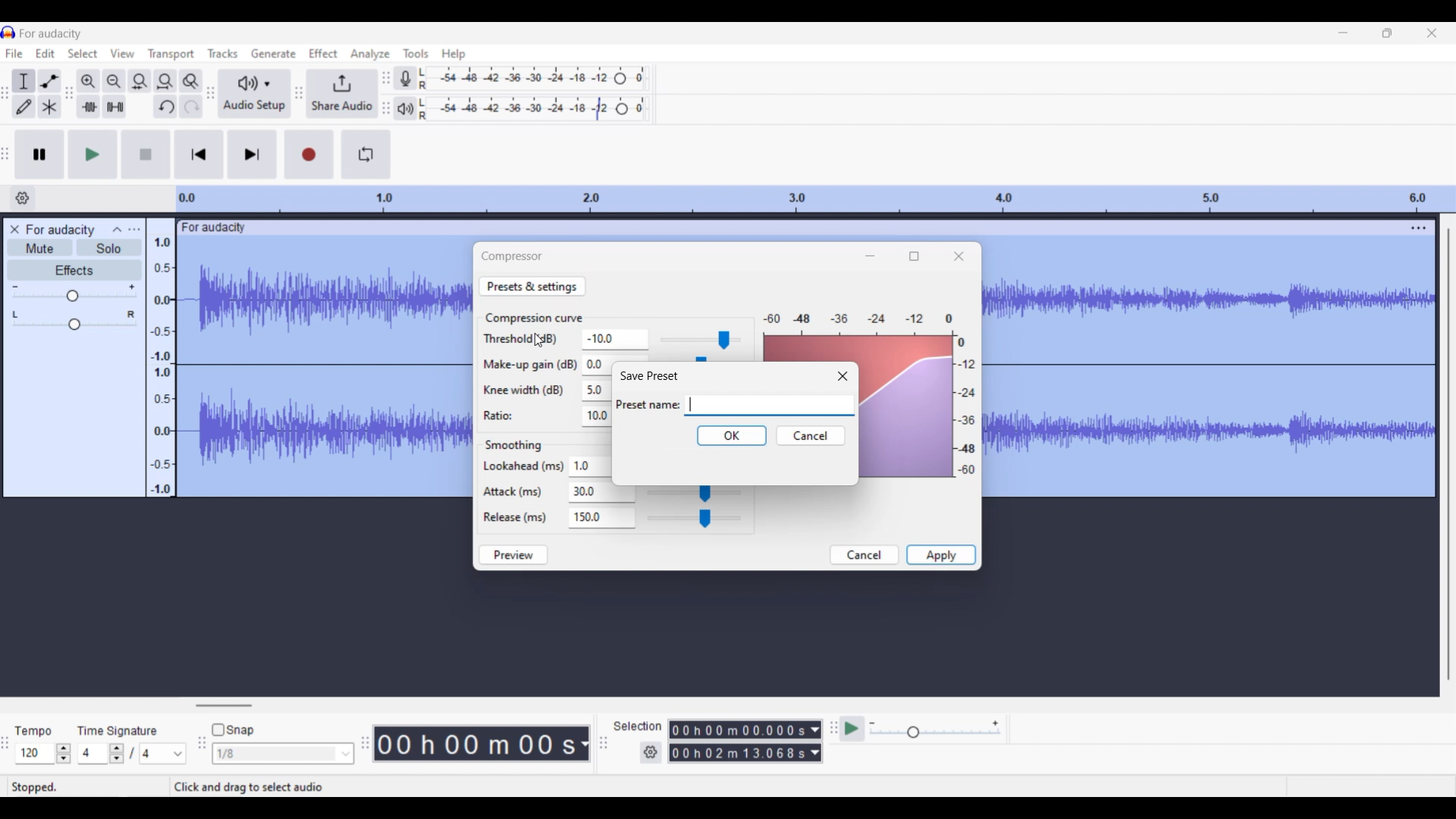 This screenshot has width=1456, height=819. Describe the element at coordinates (45, 53) in the screenshot. I see `Edit` at that location.